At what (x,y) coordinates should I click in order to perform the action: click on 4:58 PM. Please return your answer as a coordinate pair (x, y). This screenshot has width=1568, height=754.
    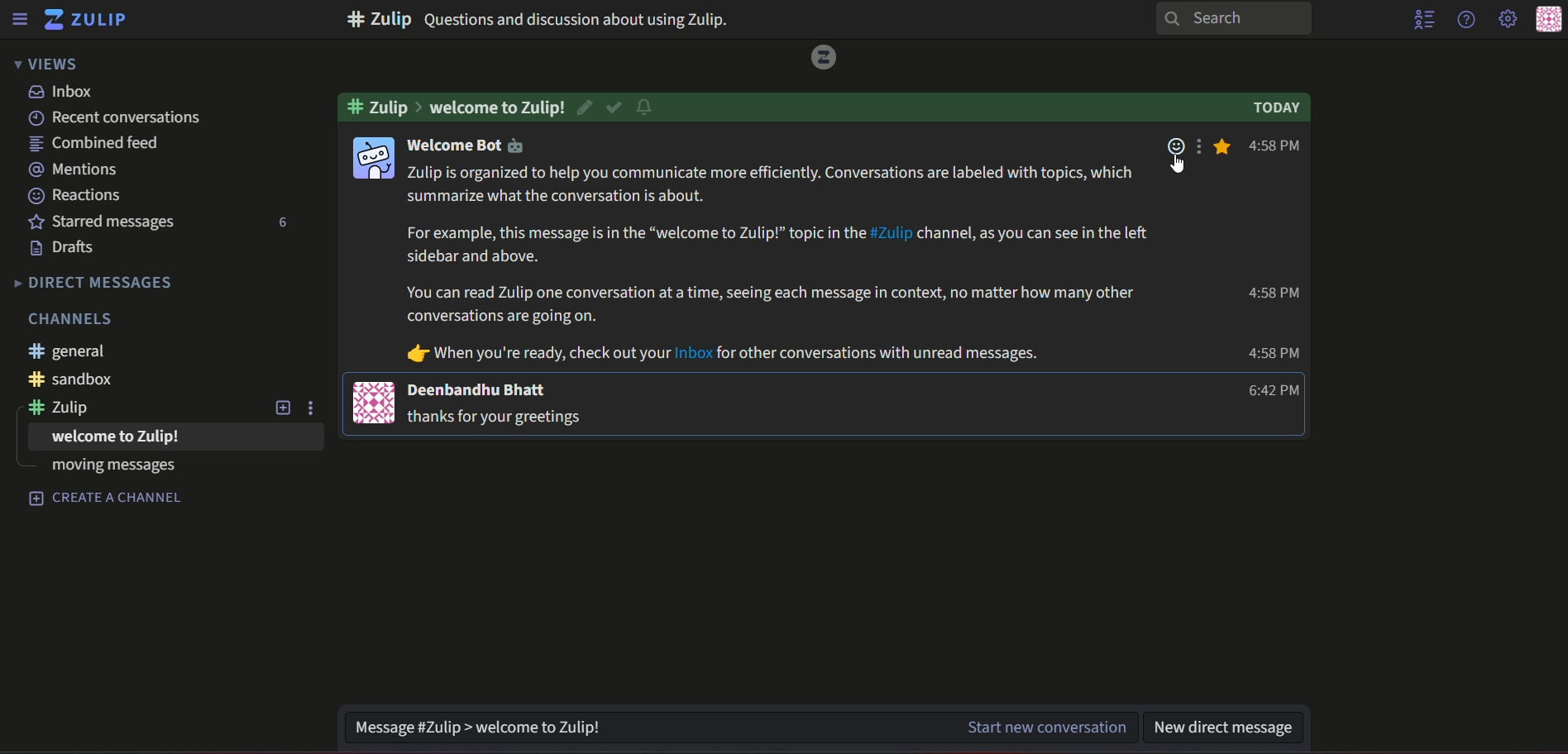
    Looking at the image, I should click on (1277, 293).